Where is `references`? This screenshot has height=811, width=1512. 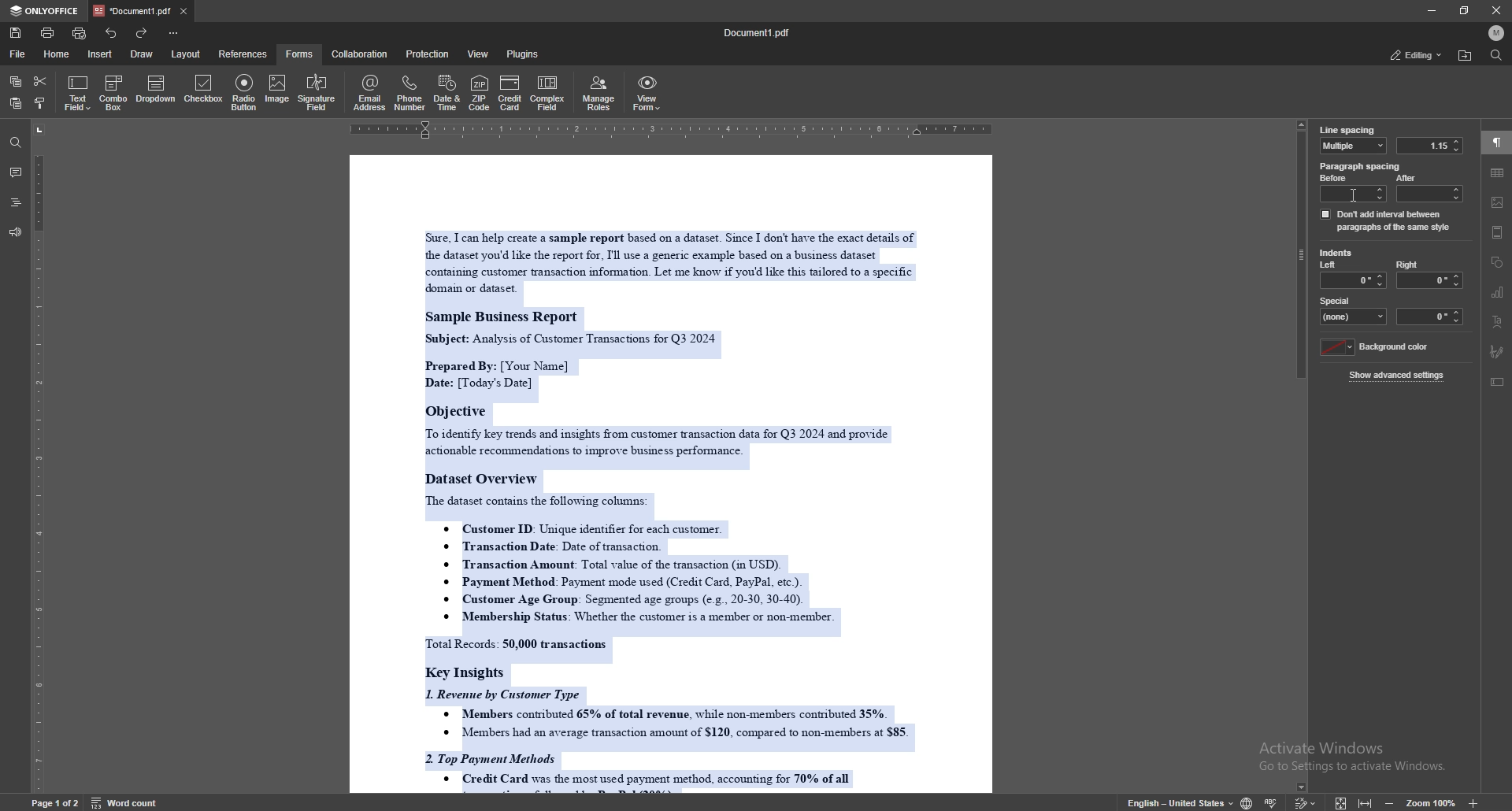 references is located at coordinates (244, 54).